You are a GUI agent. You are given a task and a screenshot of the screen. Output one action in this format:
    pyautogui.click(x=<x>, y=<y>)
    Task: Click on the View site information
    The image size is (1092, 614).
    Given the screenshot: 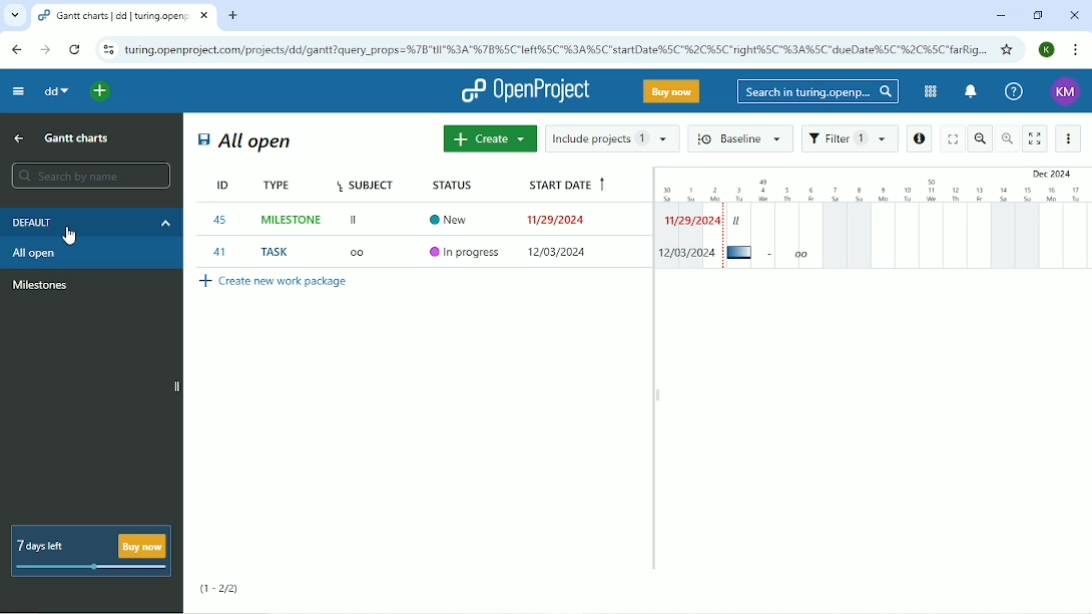 What is the action you would take?
    pyautogui.click(x=107, y=49)
    